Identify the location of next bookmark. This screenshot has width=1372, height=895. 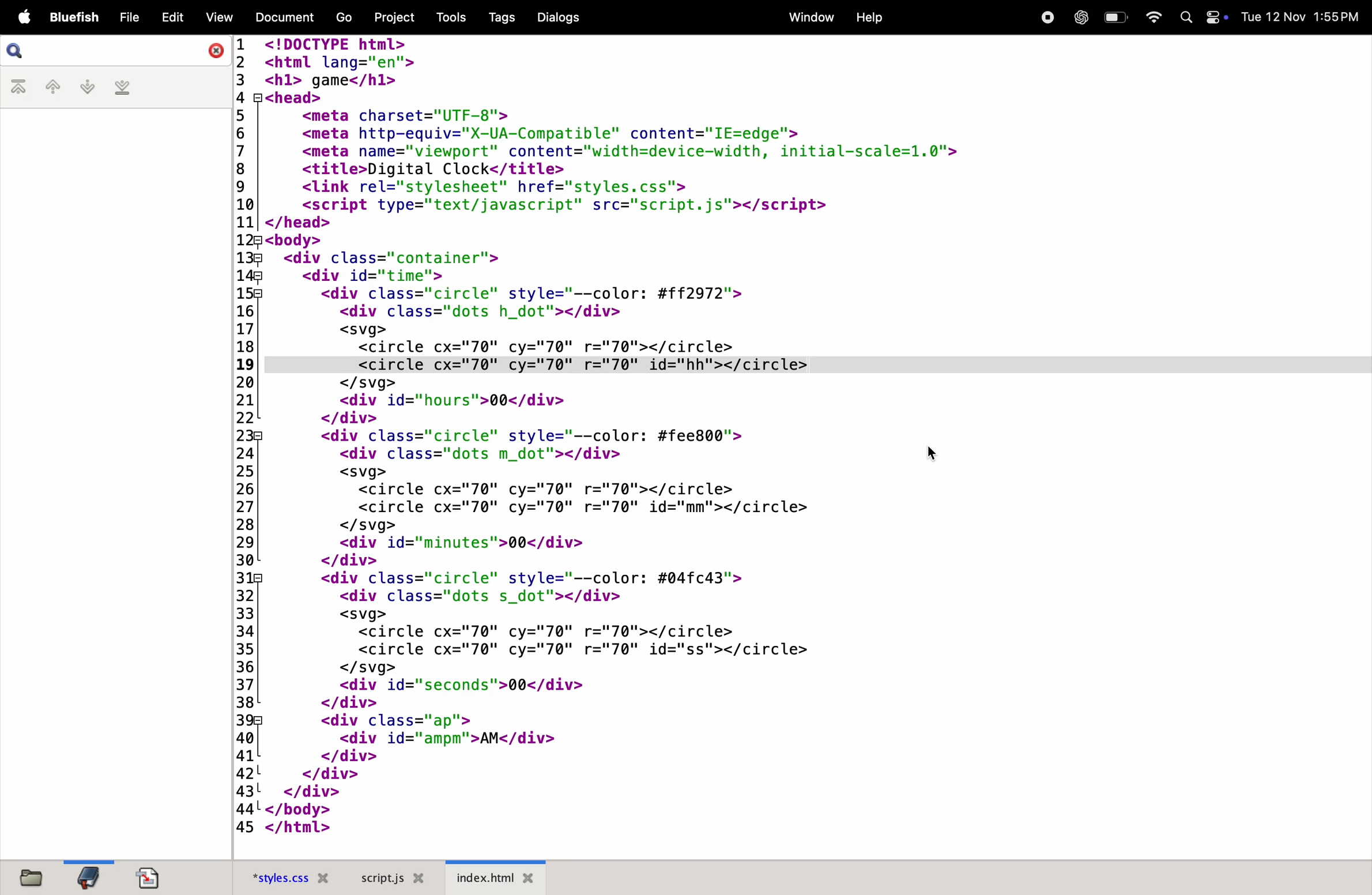
(84, 87).